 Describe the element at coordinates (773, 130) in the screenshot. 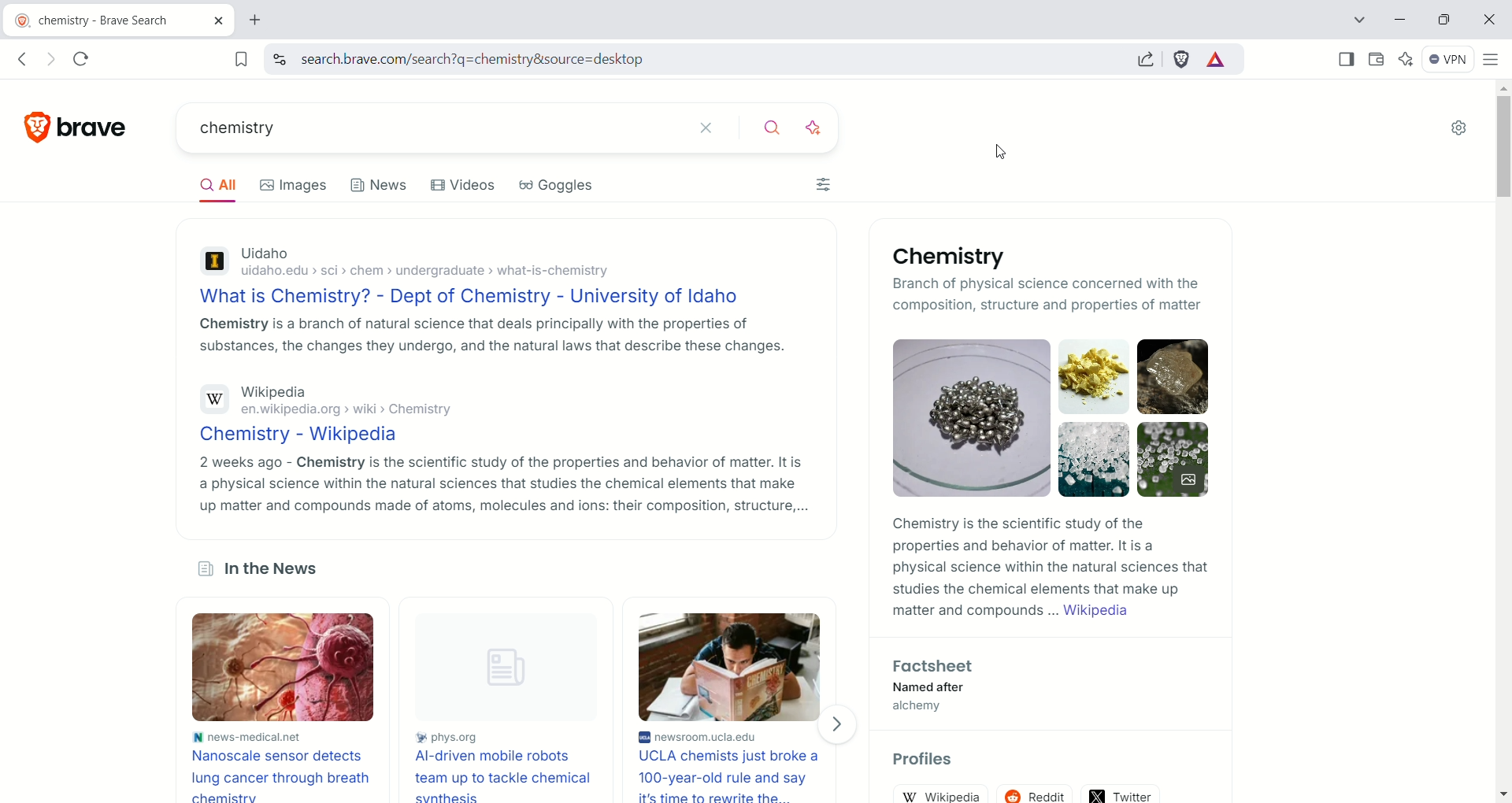

I see `search` at that location.